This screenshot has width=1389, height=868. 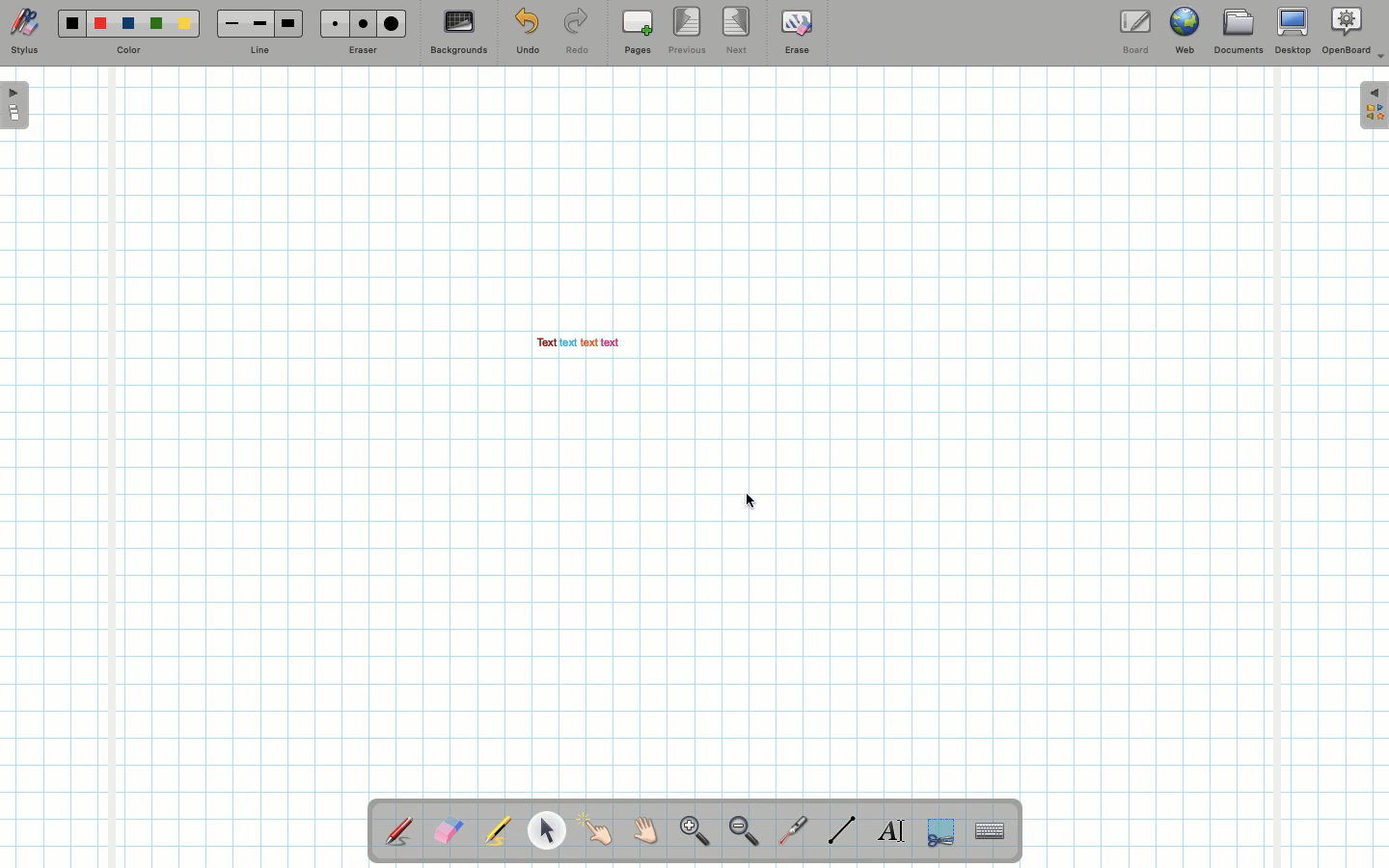 What do you see at coordinates (458, 33) in the screenshot?
I see `Backgrounds` at bounding box center [458, 33].